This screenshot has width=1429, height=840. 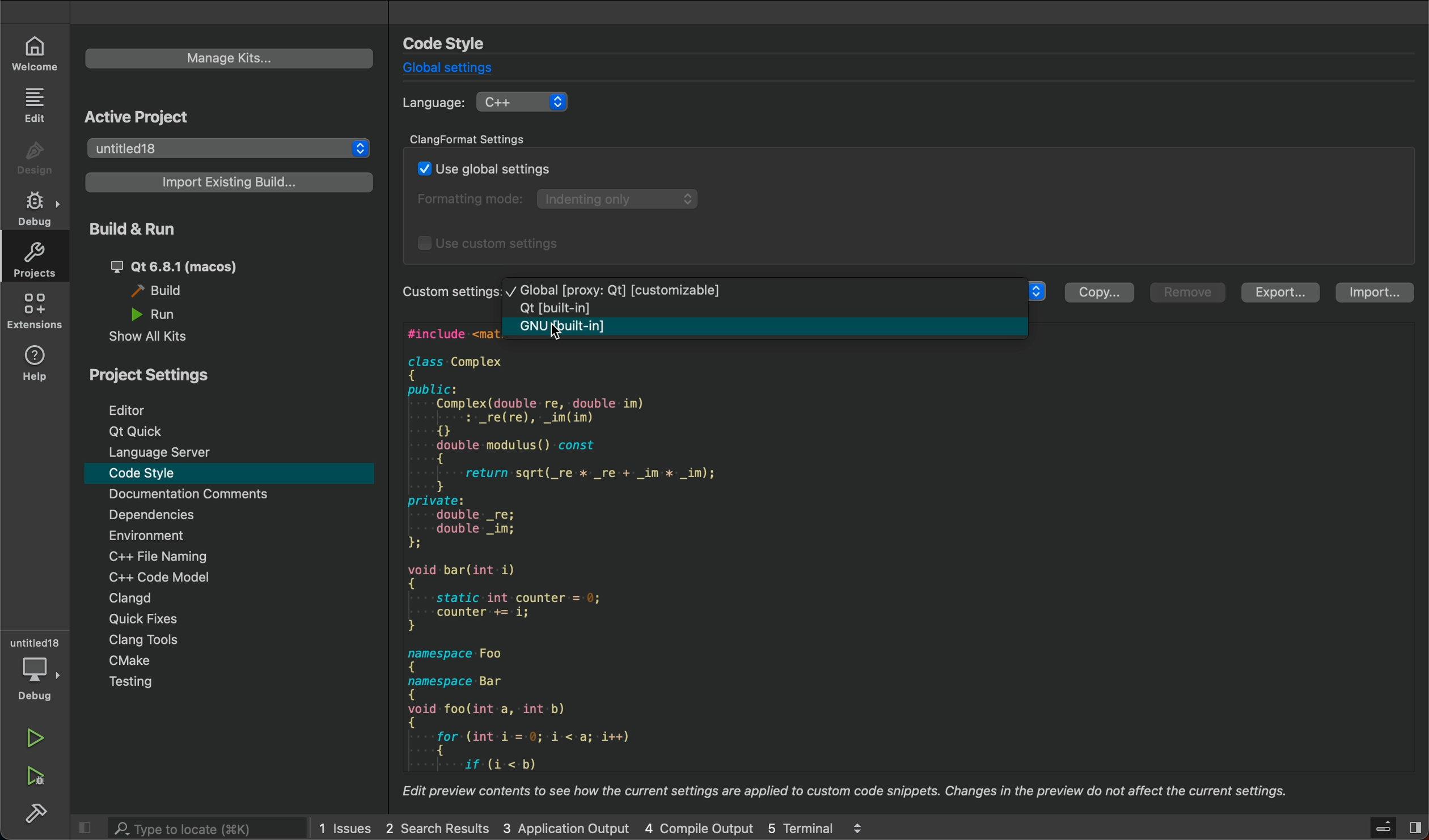 What do you see at coordinates (139, 663) in the screenshot?
I see `cmake` at bounding box center [139, 663].